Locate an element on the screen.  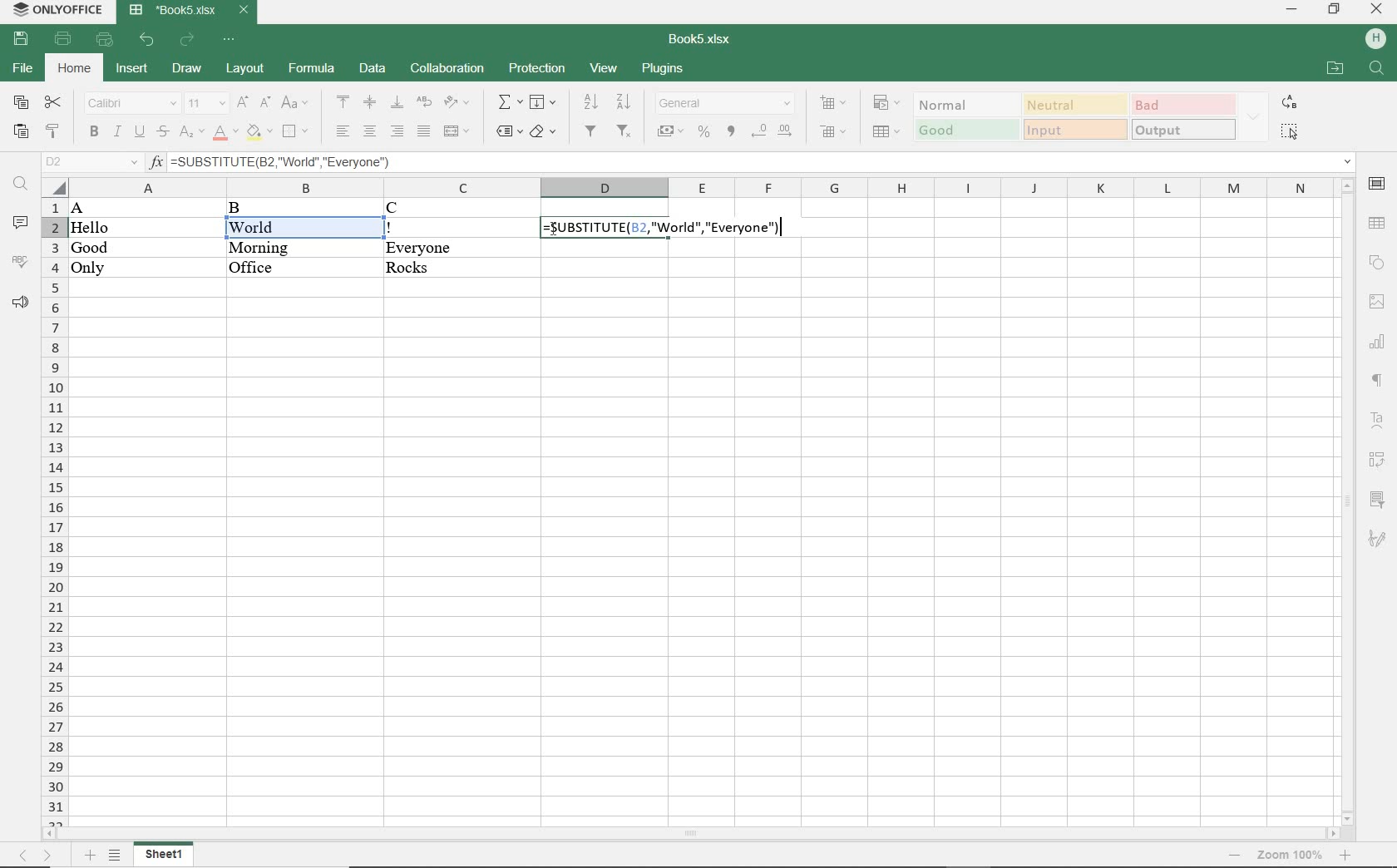
hp is located at coordinates (1375, 38).